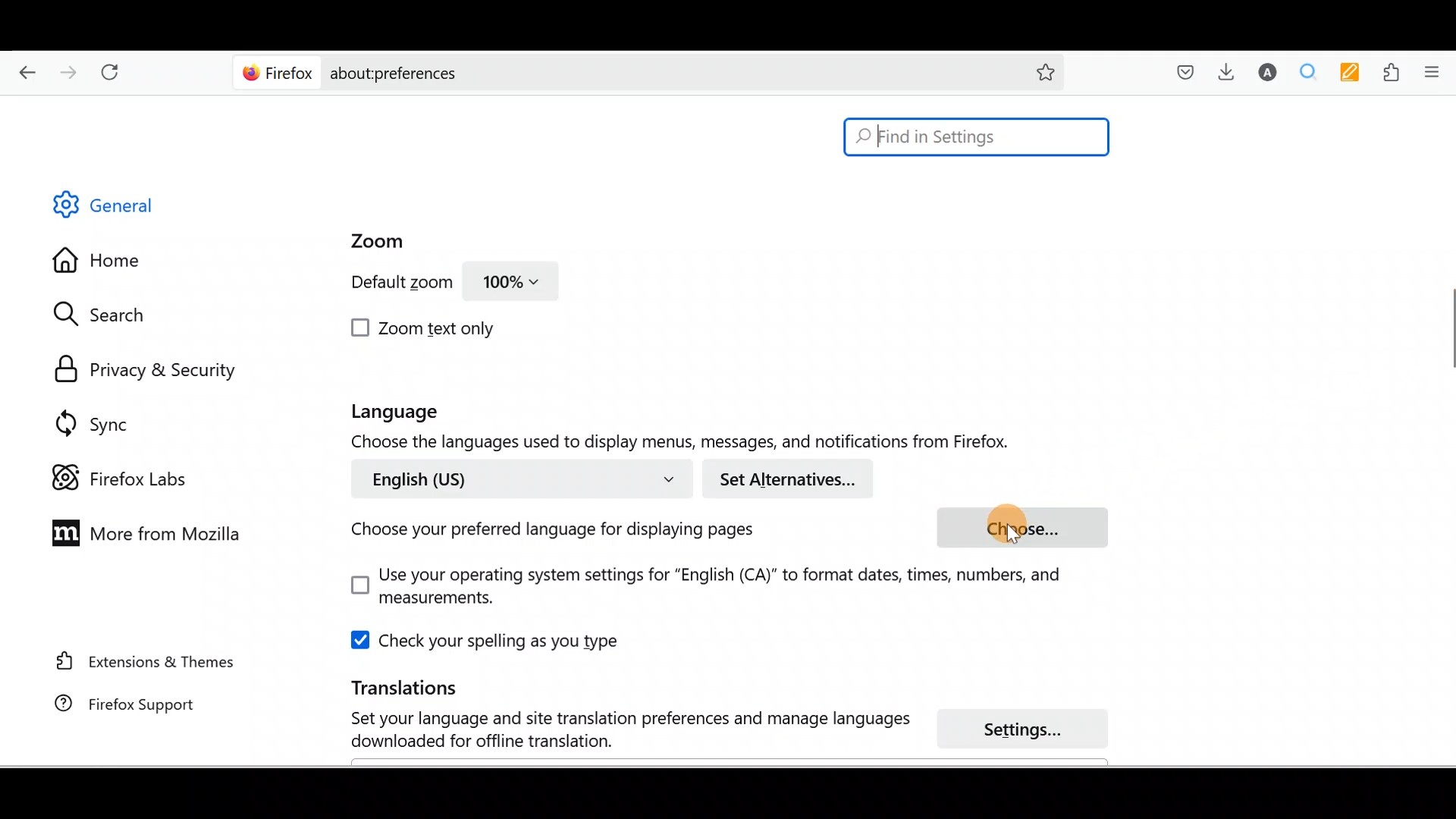 The height and width of the screenshot is (819, 1456). I want to click on Multiple search & highlight, so click(1309, 71).